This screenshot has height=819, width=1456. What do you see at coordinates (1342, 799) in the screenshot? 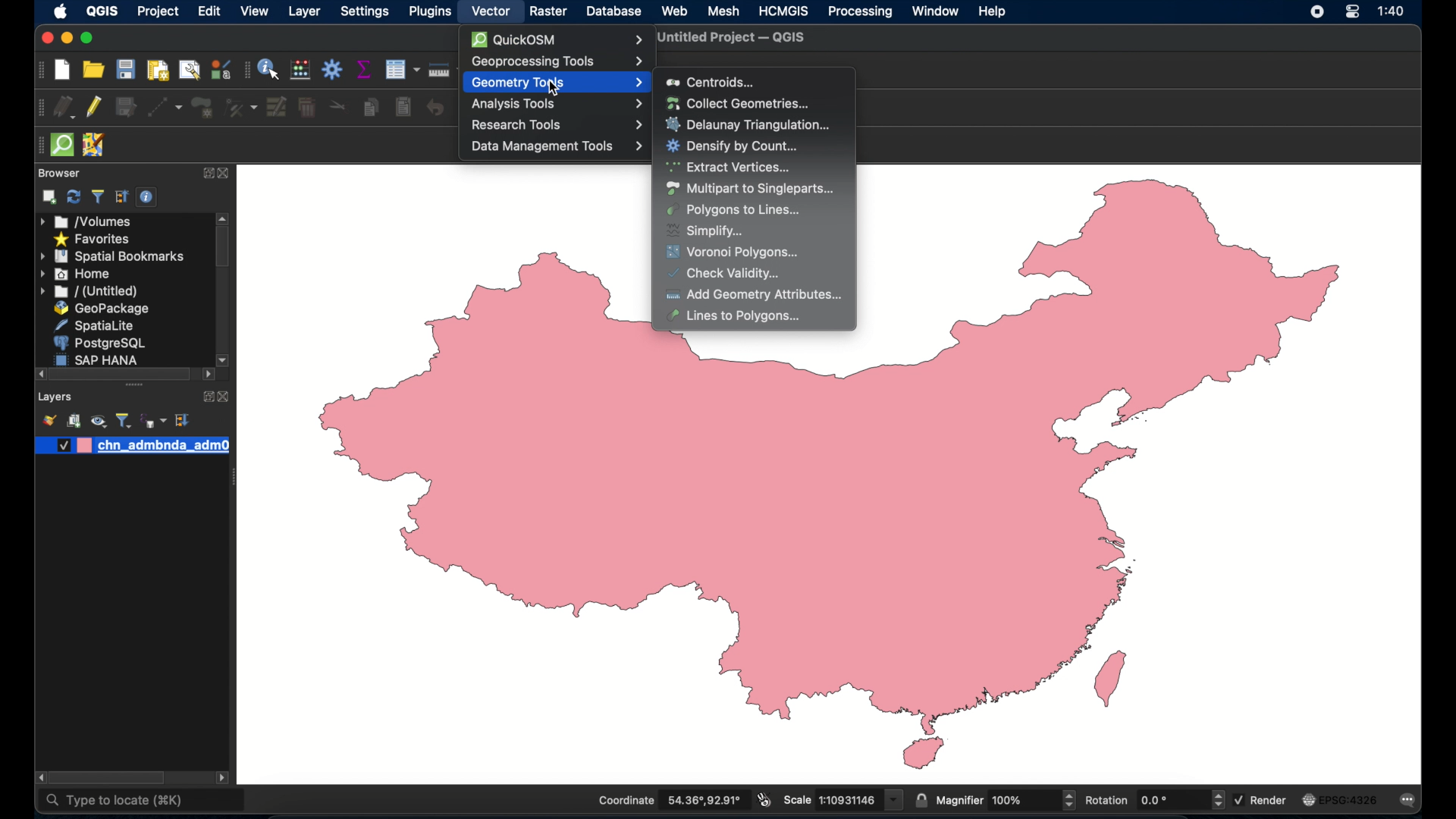
I see `current crs` at bounding box center [1342, 799].